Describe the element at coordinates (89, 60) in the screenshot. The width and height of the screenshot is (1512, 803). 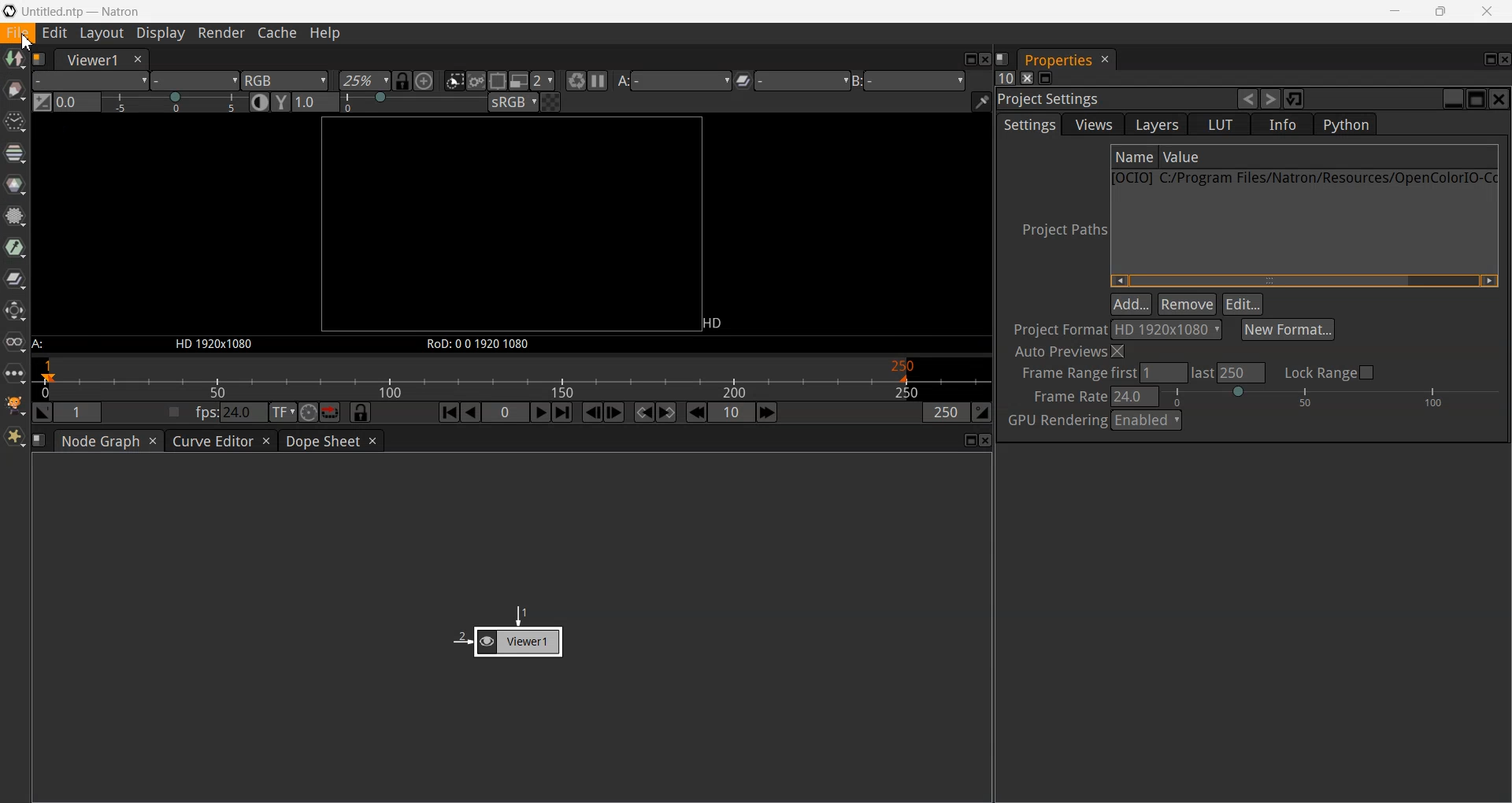
I see `Viewer1` at that location.